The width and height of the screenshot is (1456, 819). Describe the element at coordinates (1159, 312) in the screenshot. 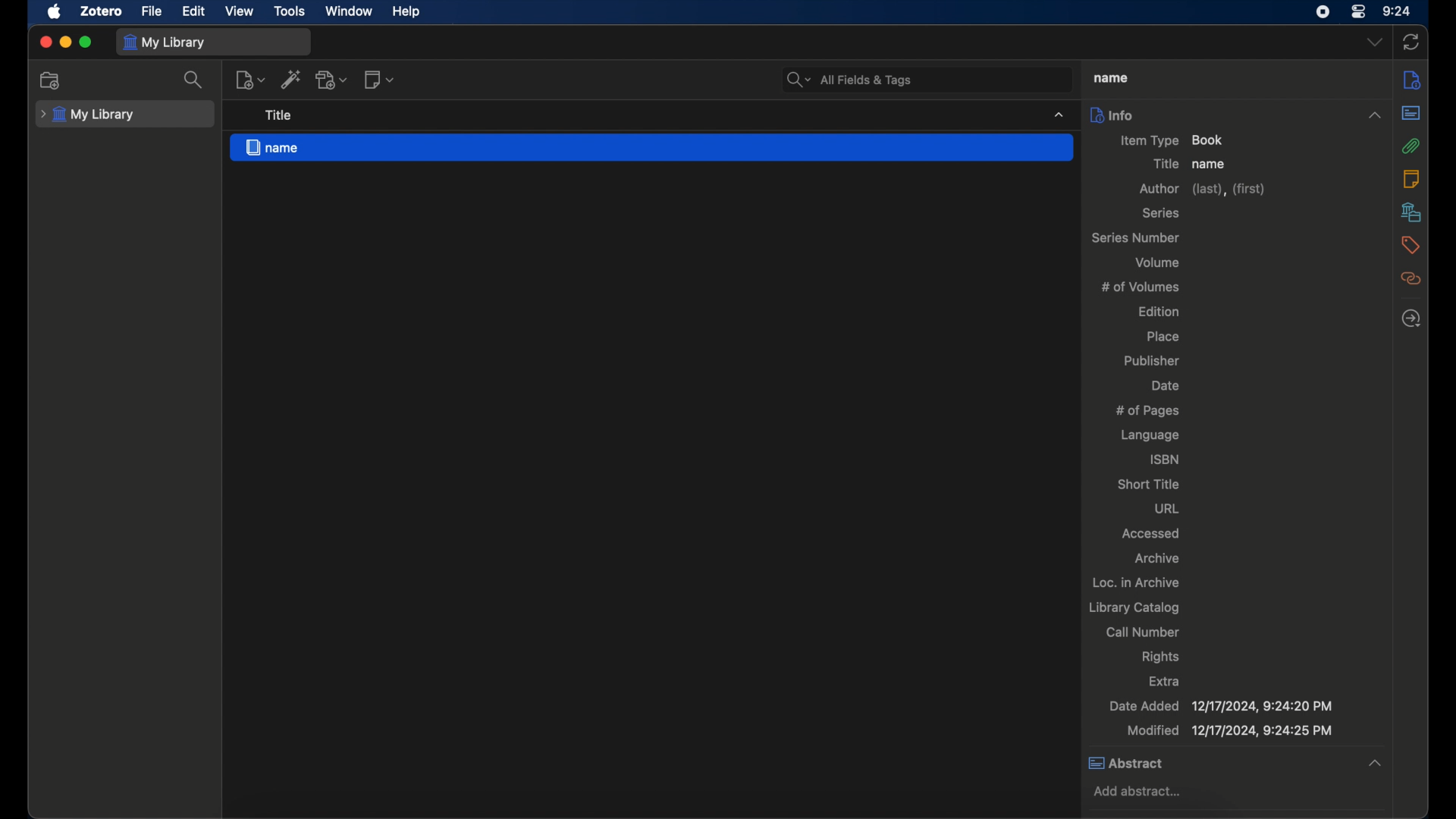

I see `edition` at that location.